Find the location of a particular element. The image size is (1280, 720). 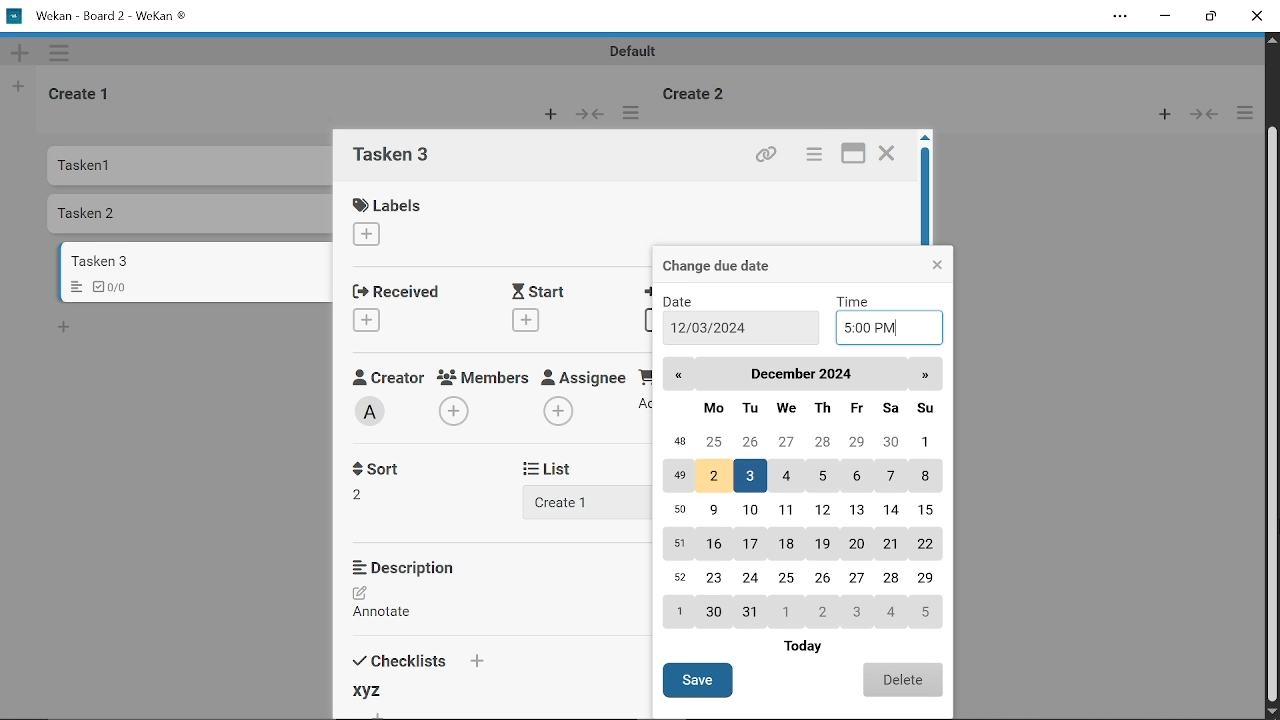

Delete is located at coordinates (900, 679).